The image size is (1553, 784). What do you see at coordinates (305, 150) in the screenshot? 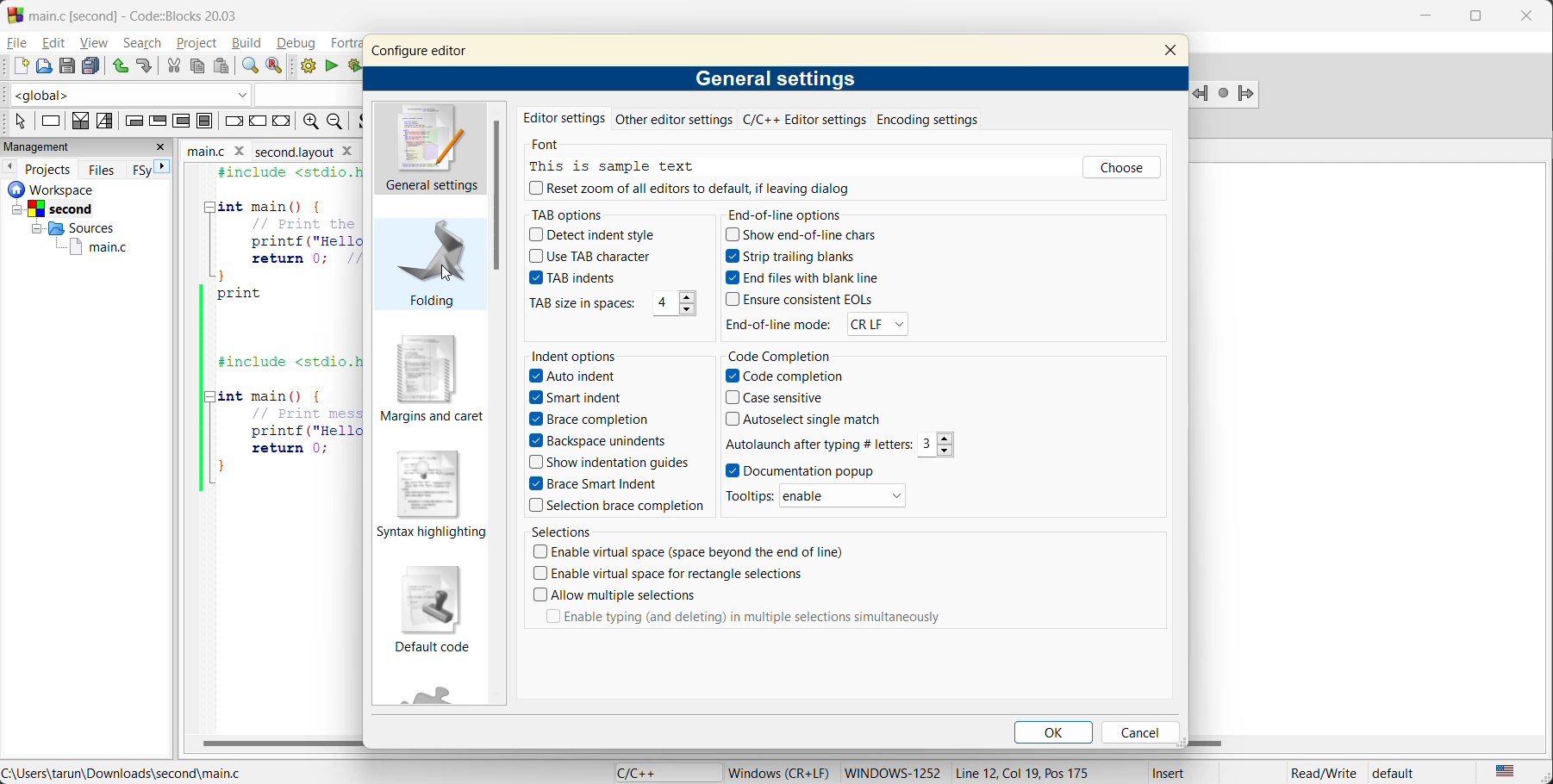
I see `Second layout` at bounding box center [305, 150].